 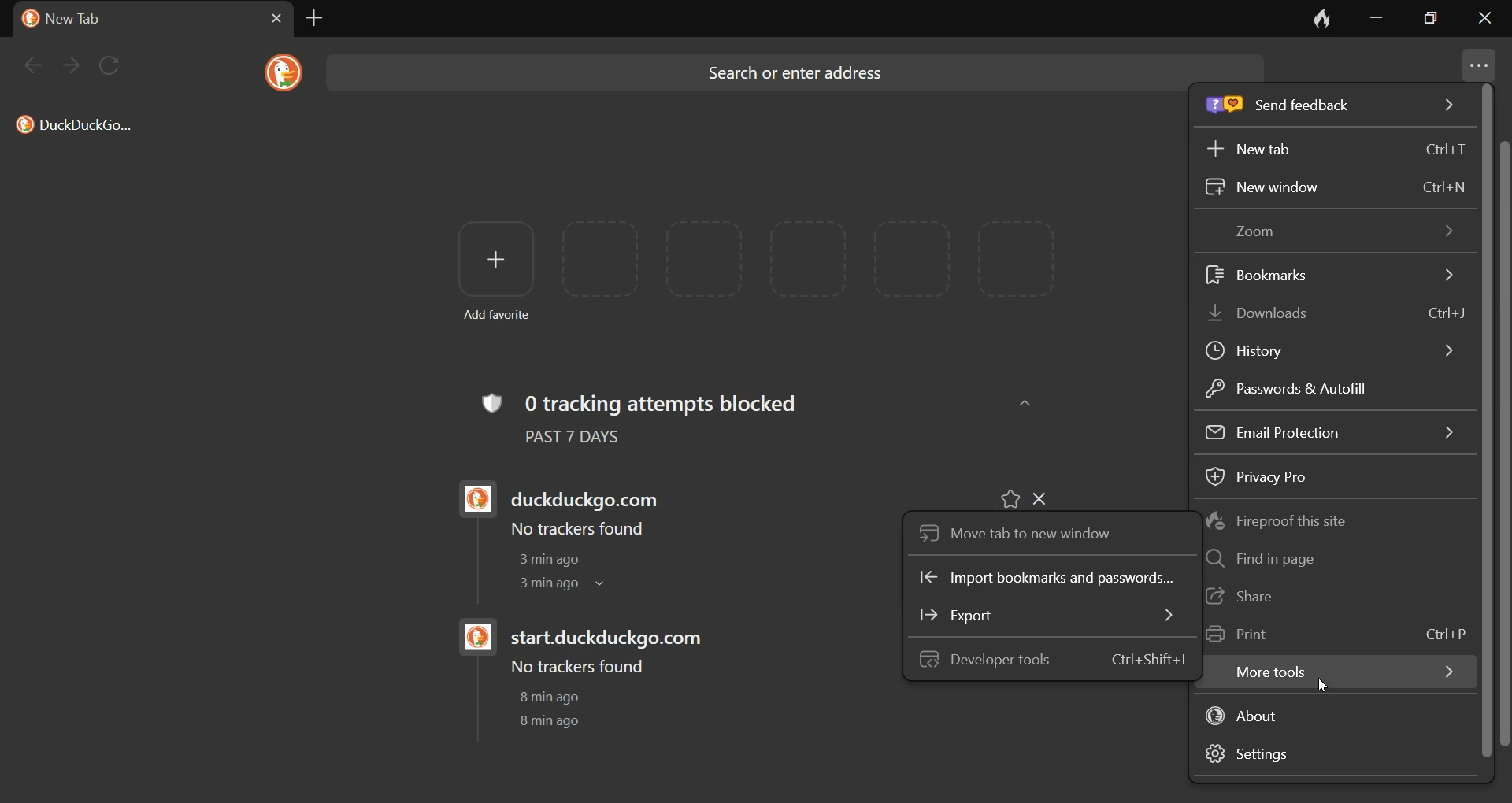 I want to click on Move tab to new window, so click(x=1018, y=530).